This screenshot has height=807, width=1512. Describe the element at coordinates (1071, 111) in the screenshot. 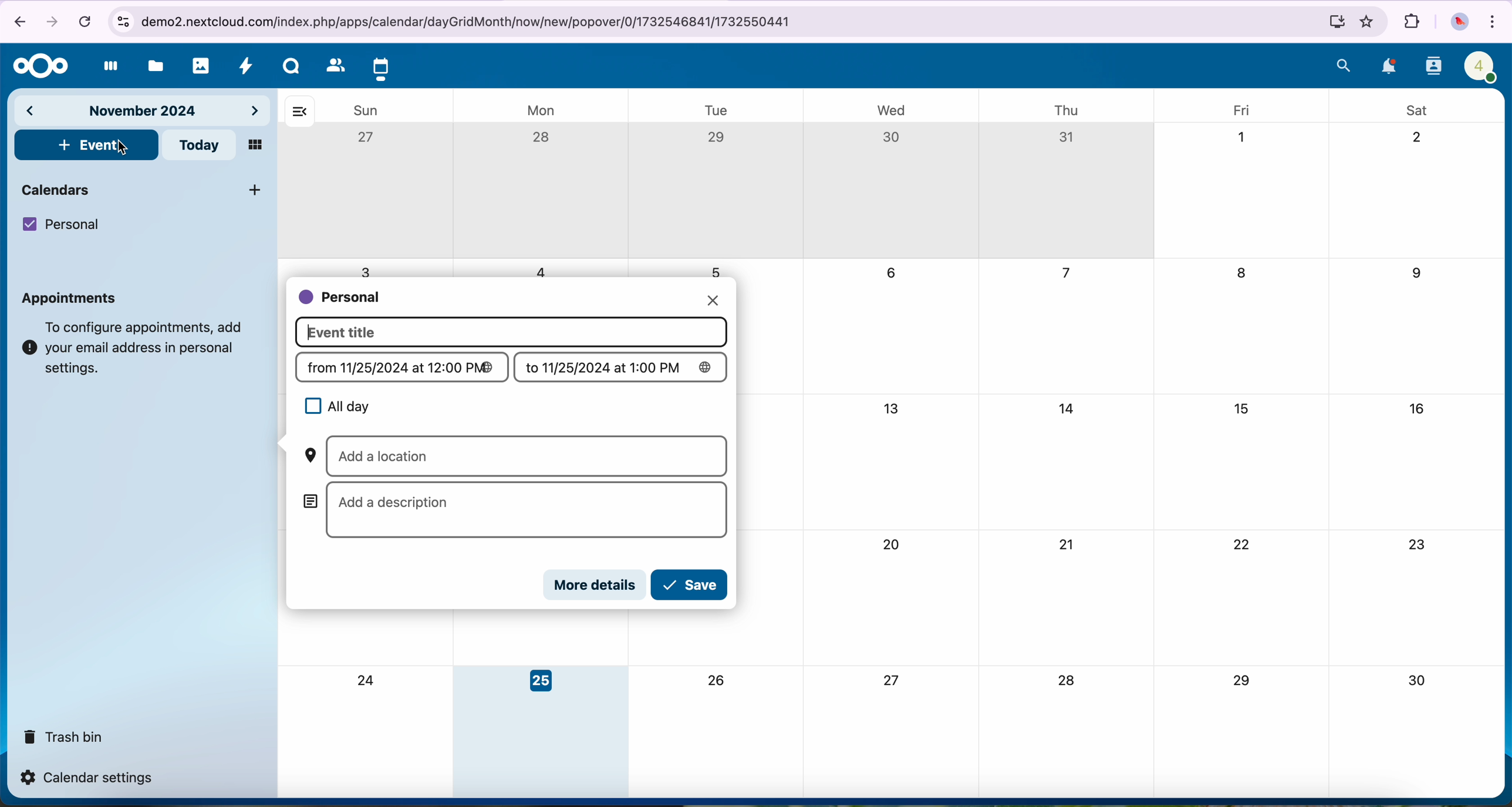

I see `thu` at that location.